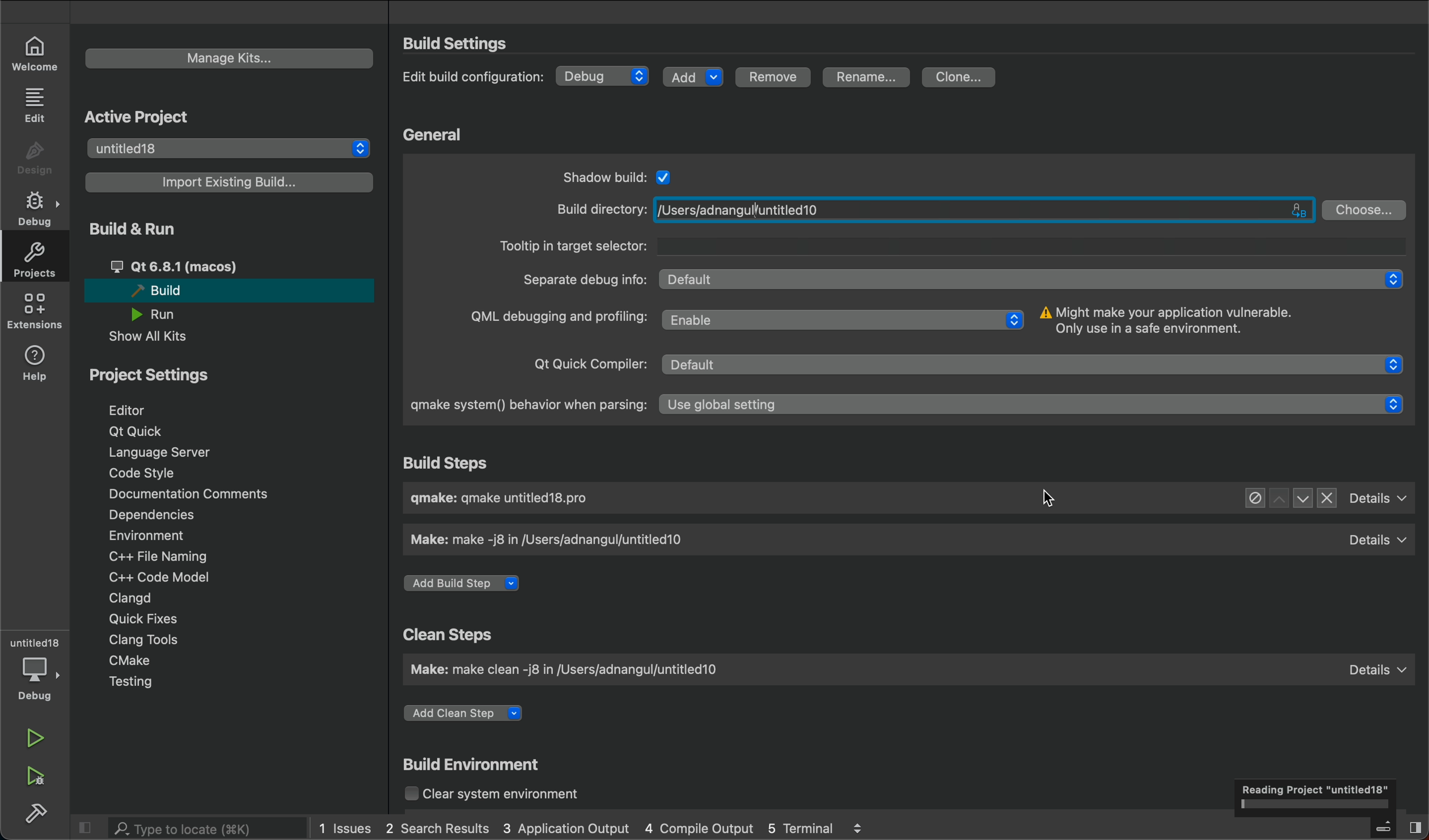 This screenshot has width=1429, height=840. What do you see at coordinates (1171, 320) in the screenshot?
I see `Might make your application vulnerable.
Only use in a safe environment.` at bounding box center [1171, 320].